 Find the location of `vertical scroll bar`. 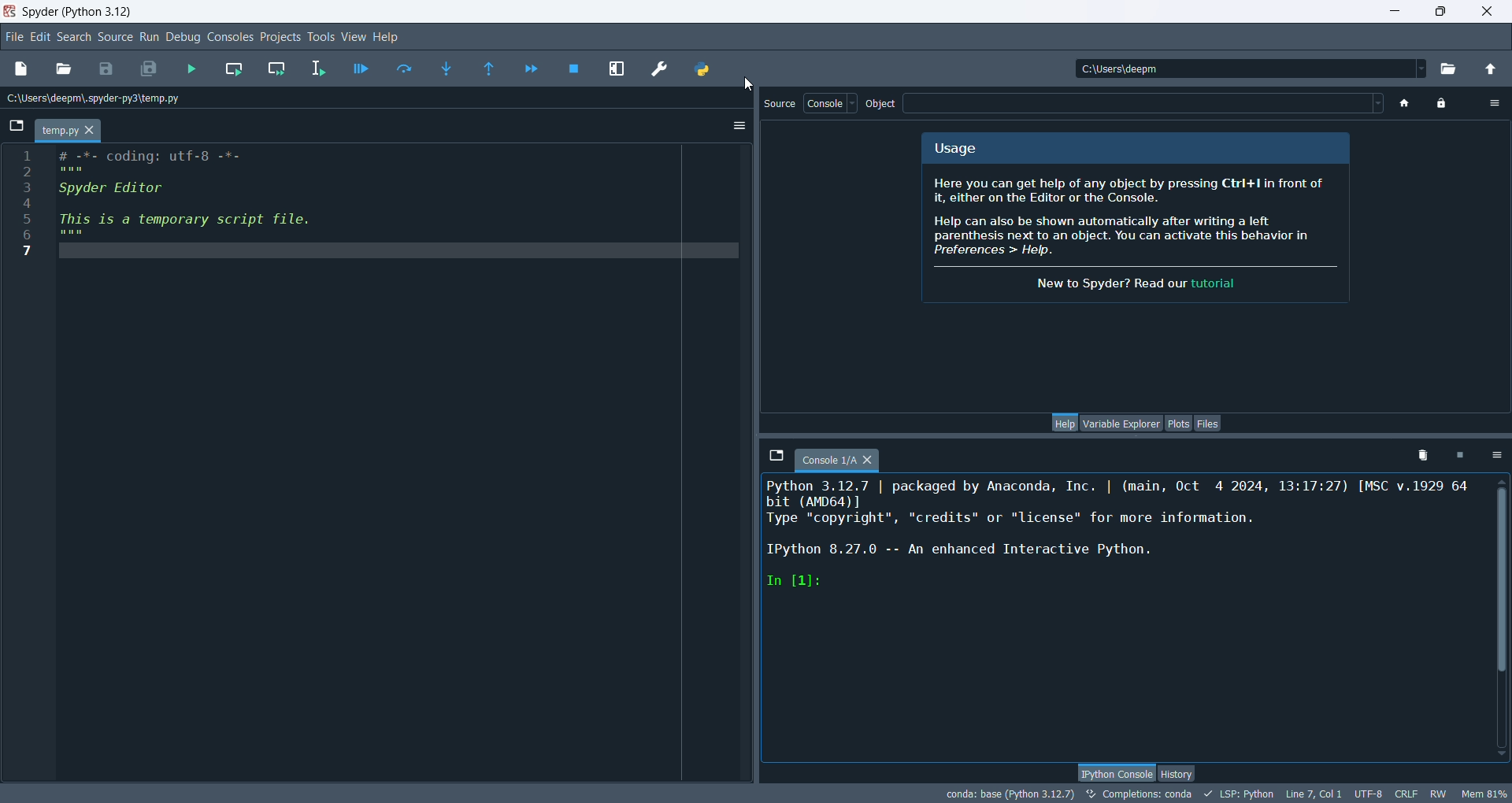

vertical scroll bar is located at coordinates (1495, 616).